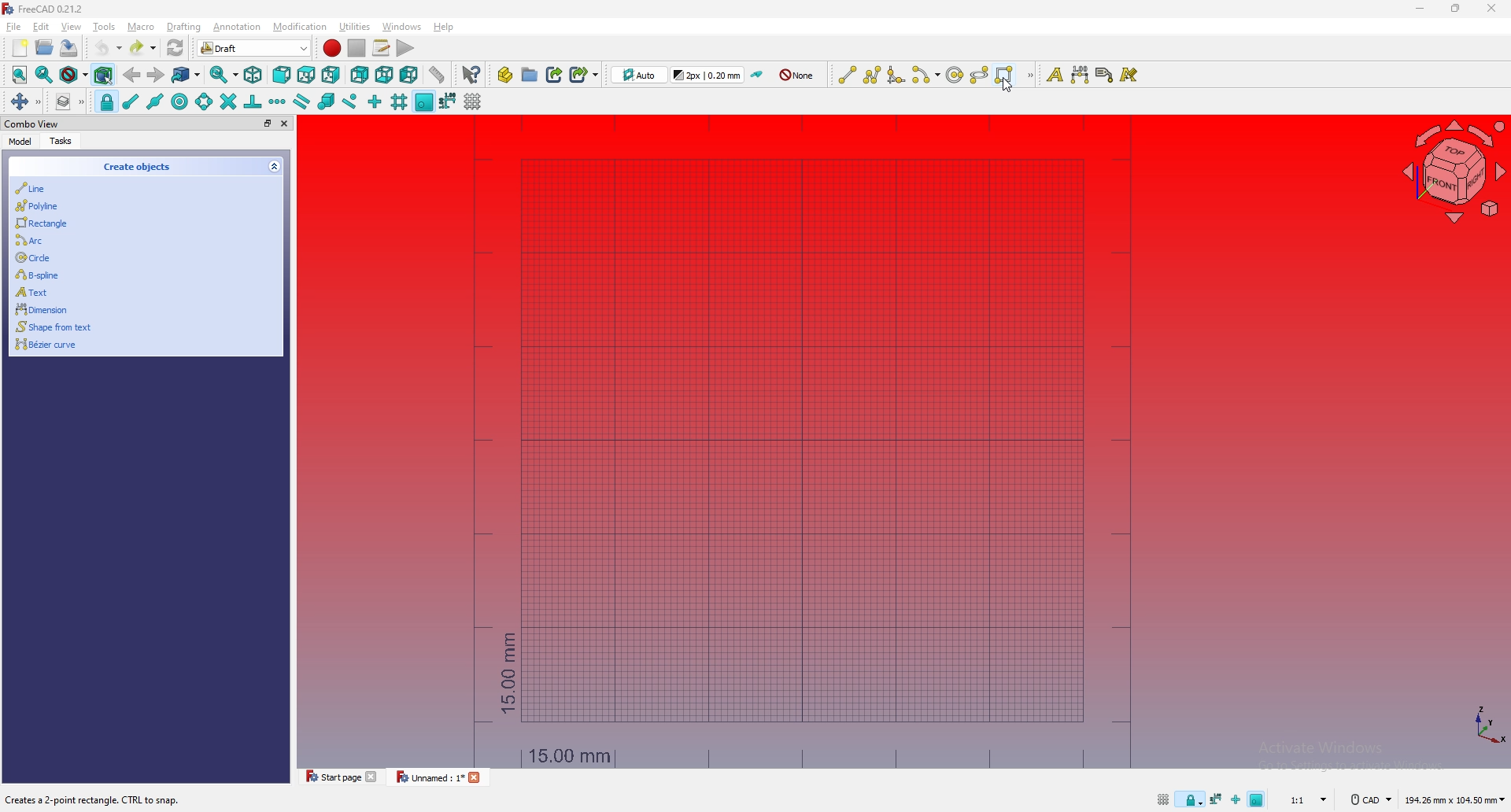 Image resolution: width=1511 pixels, height=812 pixels. Describe the element at coordinates (1029, 76) in the screenshot. I see `draft creation tools` at that location.